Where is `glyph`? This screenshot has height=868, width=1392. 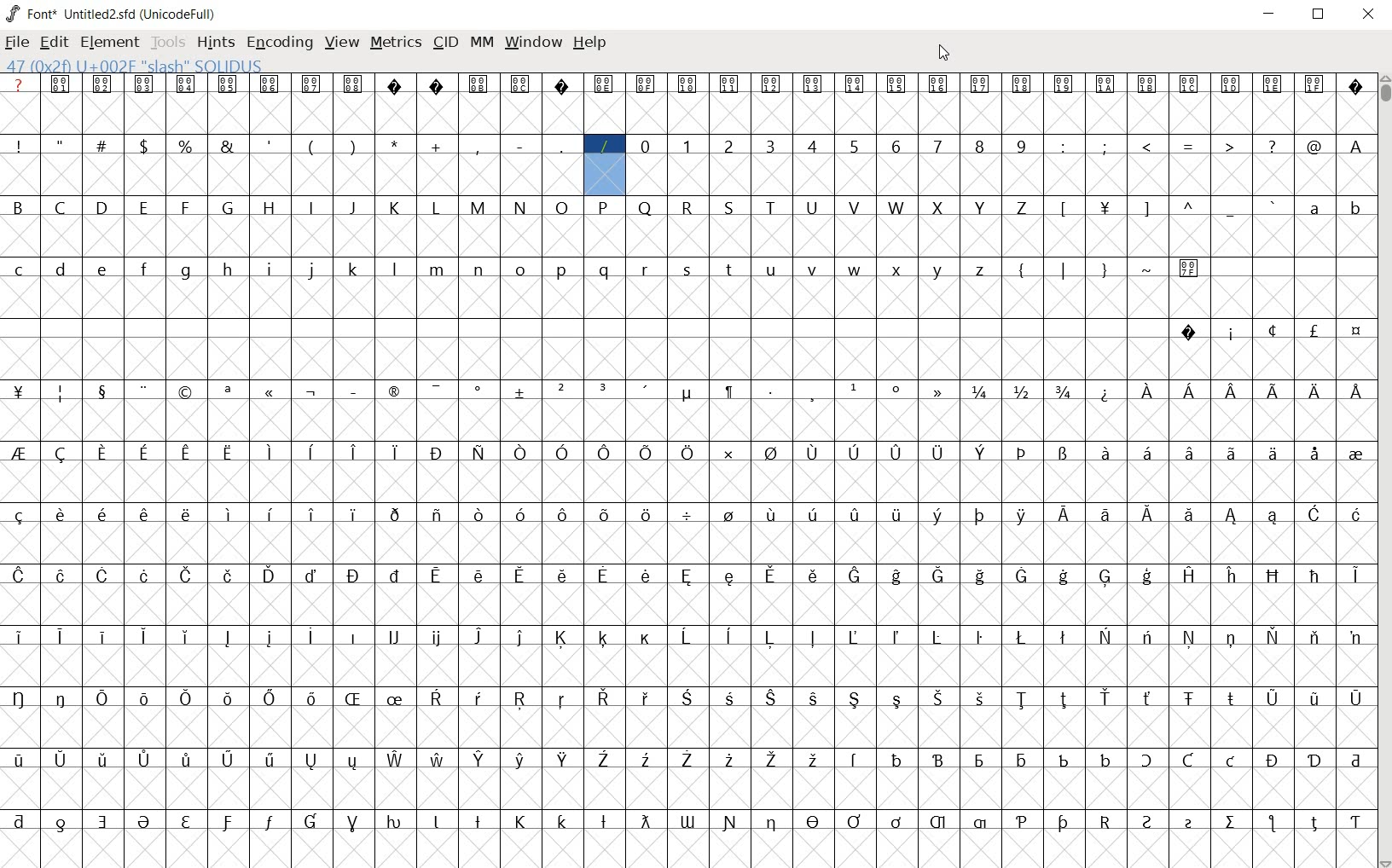 glyph is located at coordinates (391, 391).